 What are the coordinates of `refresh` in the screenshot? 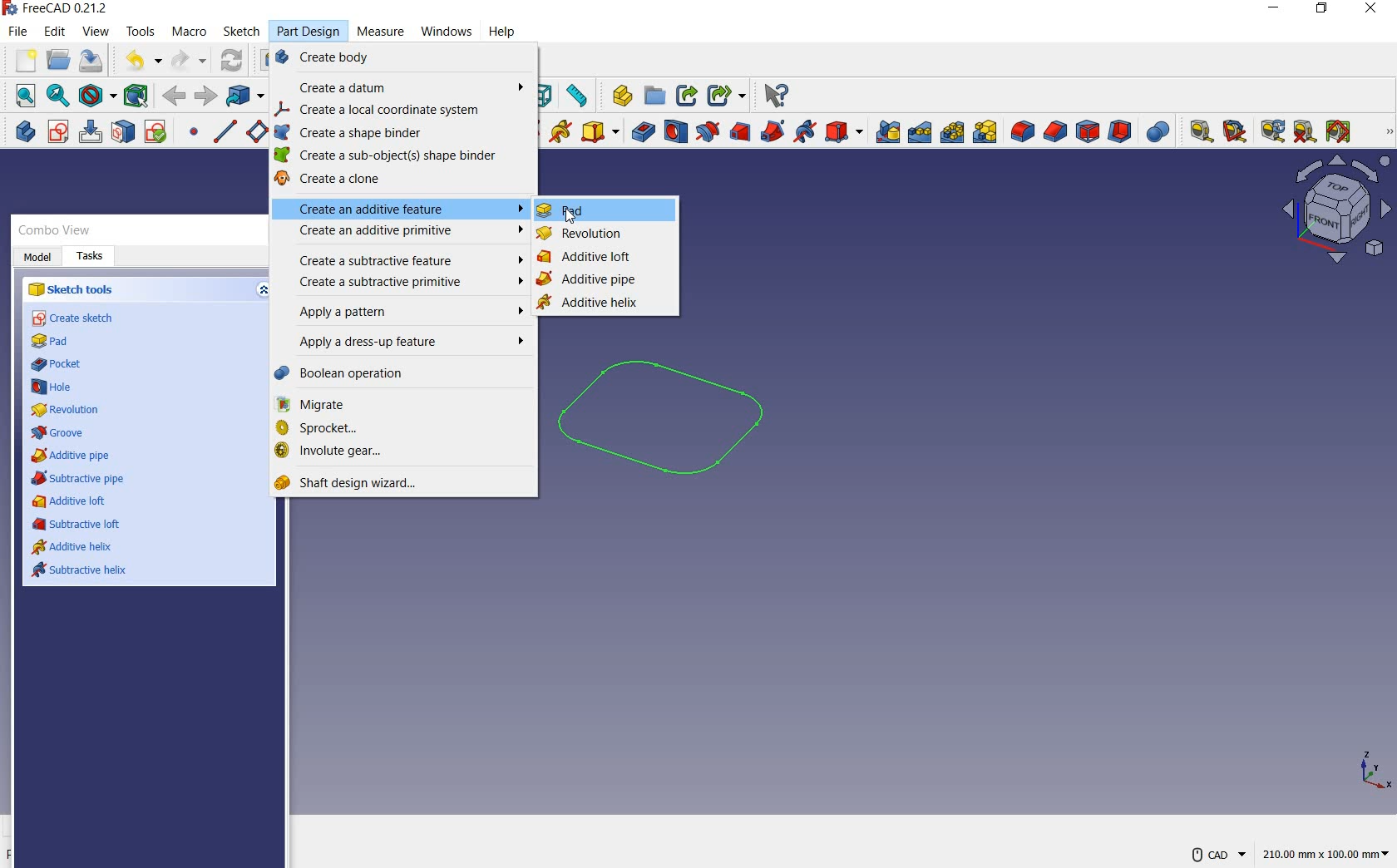 It's located at (1273, 131).